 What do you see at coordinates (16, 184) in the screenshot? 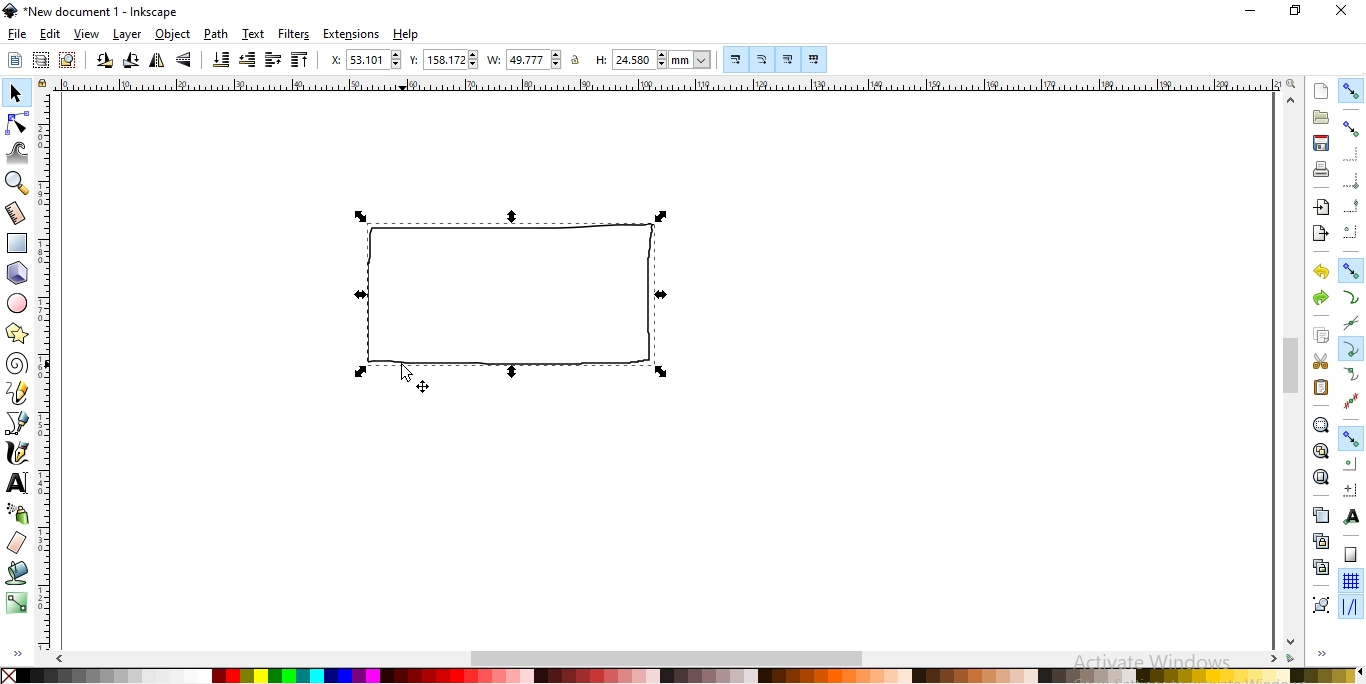
I see `zoom in or zoom out` at bounding box center [16, 184].